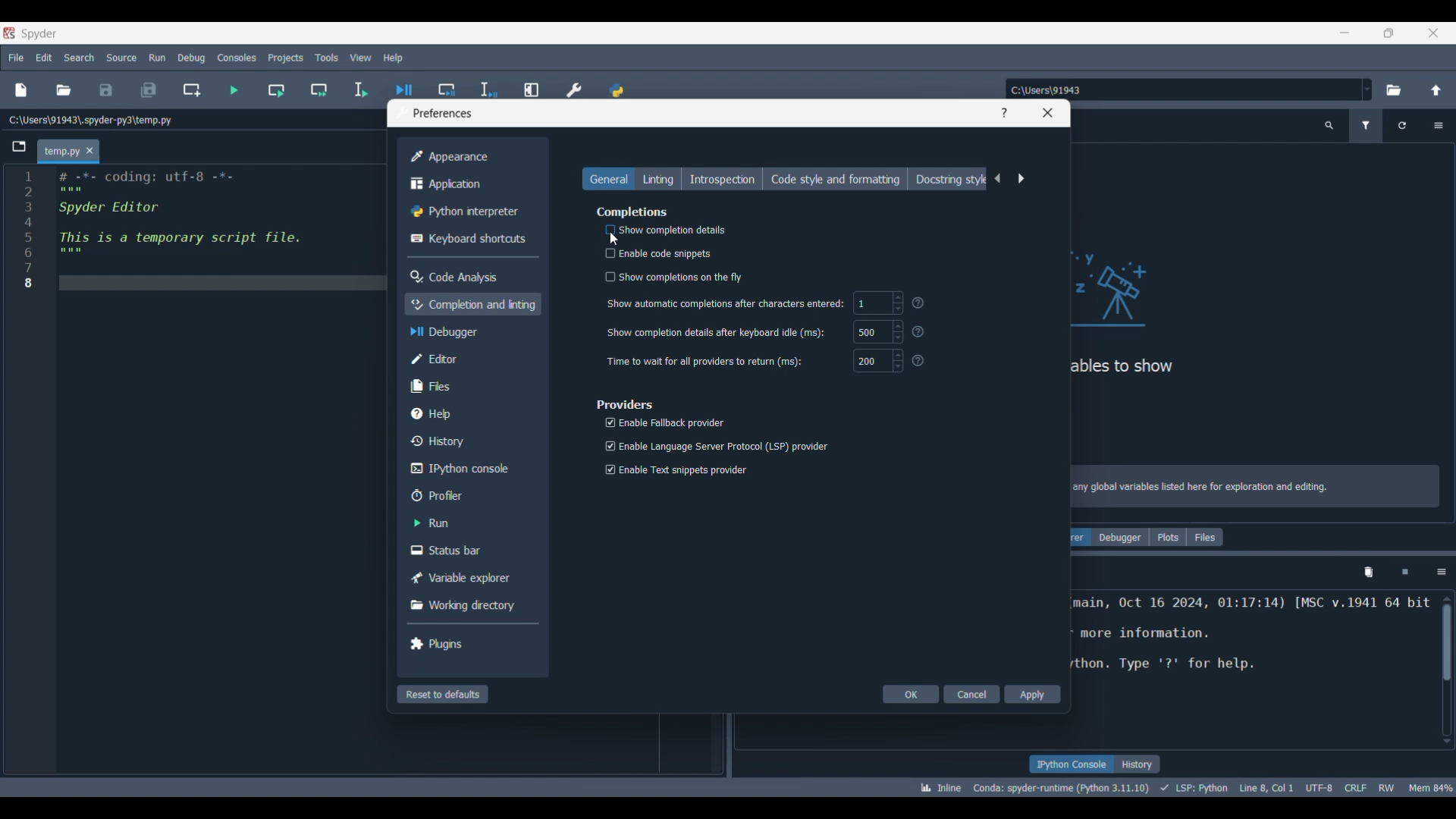 The height and width of the screenshot is (819, 1456). What do you see at coordinates (20, 90) in the screenshot?
I see `New file` at bounding box center [20, 90].